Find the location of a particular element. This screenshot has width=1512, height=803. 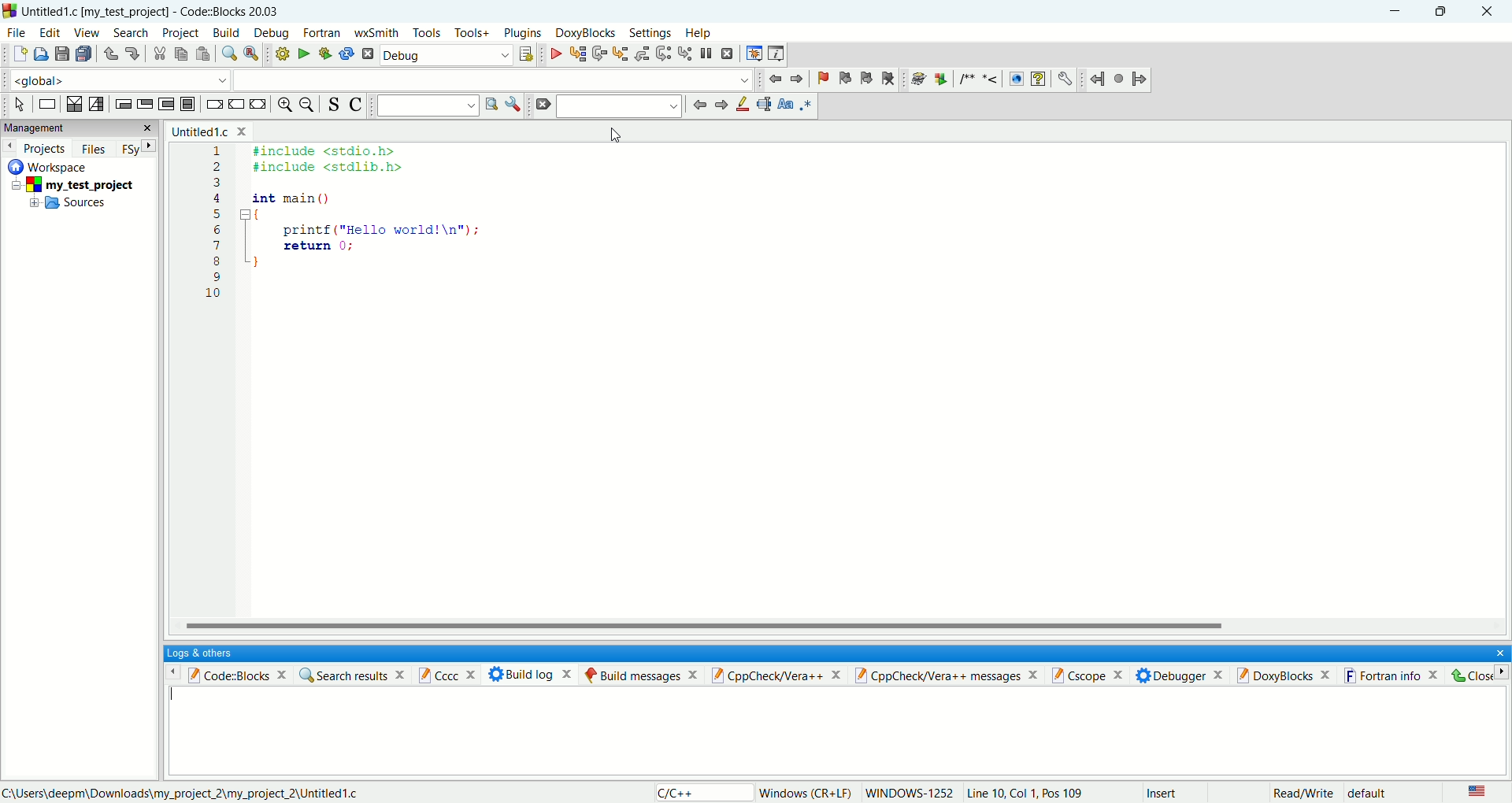

plugins is located at coordinates (524, 34).